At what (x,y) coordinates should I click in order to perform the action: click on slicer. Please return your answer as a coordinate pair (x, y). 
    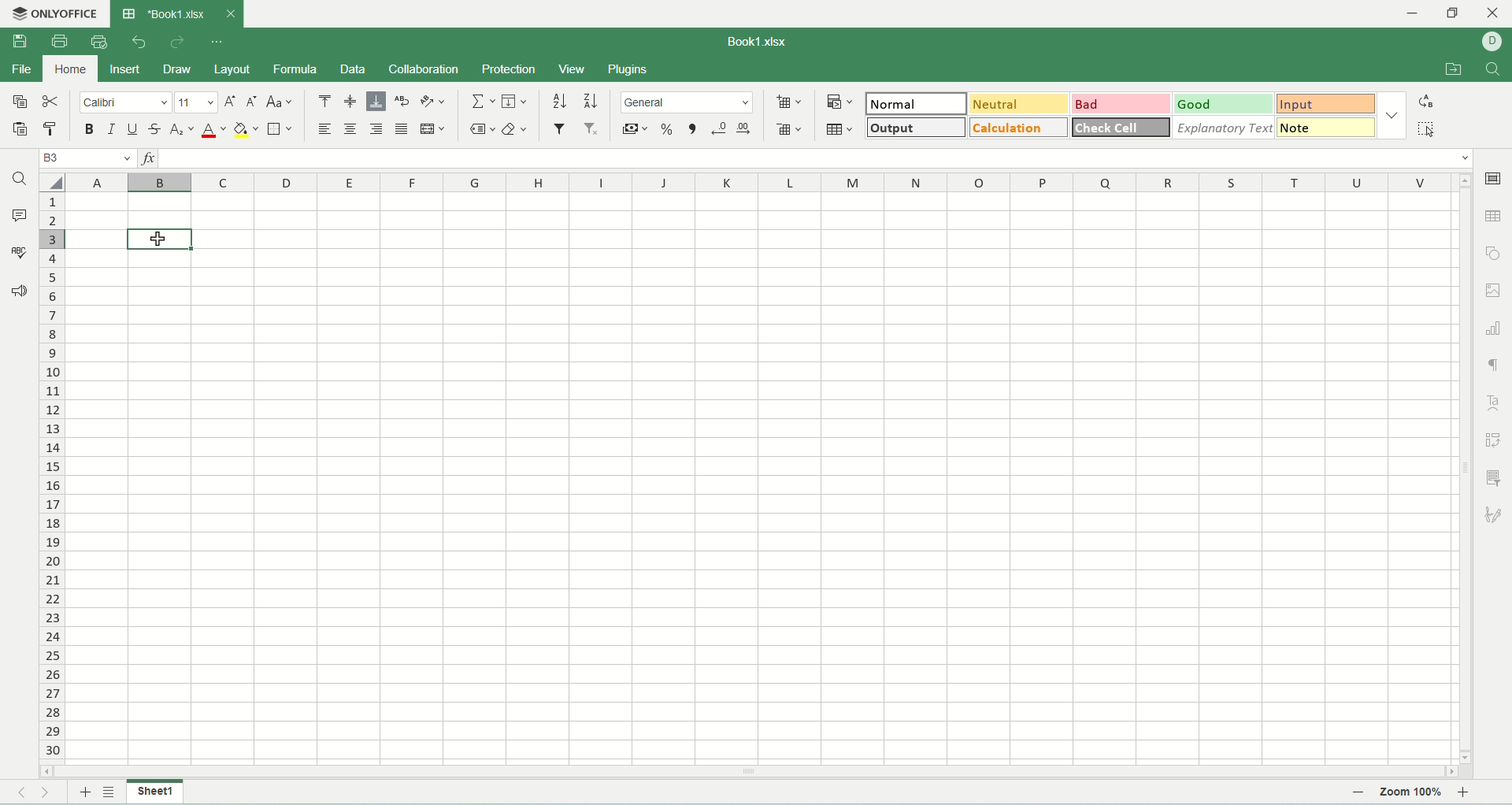
    Looking at the image, I should click on (1497, 477).